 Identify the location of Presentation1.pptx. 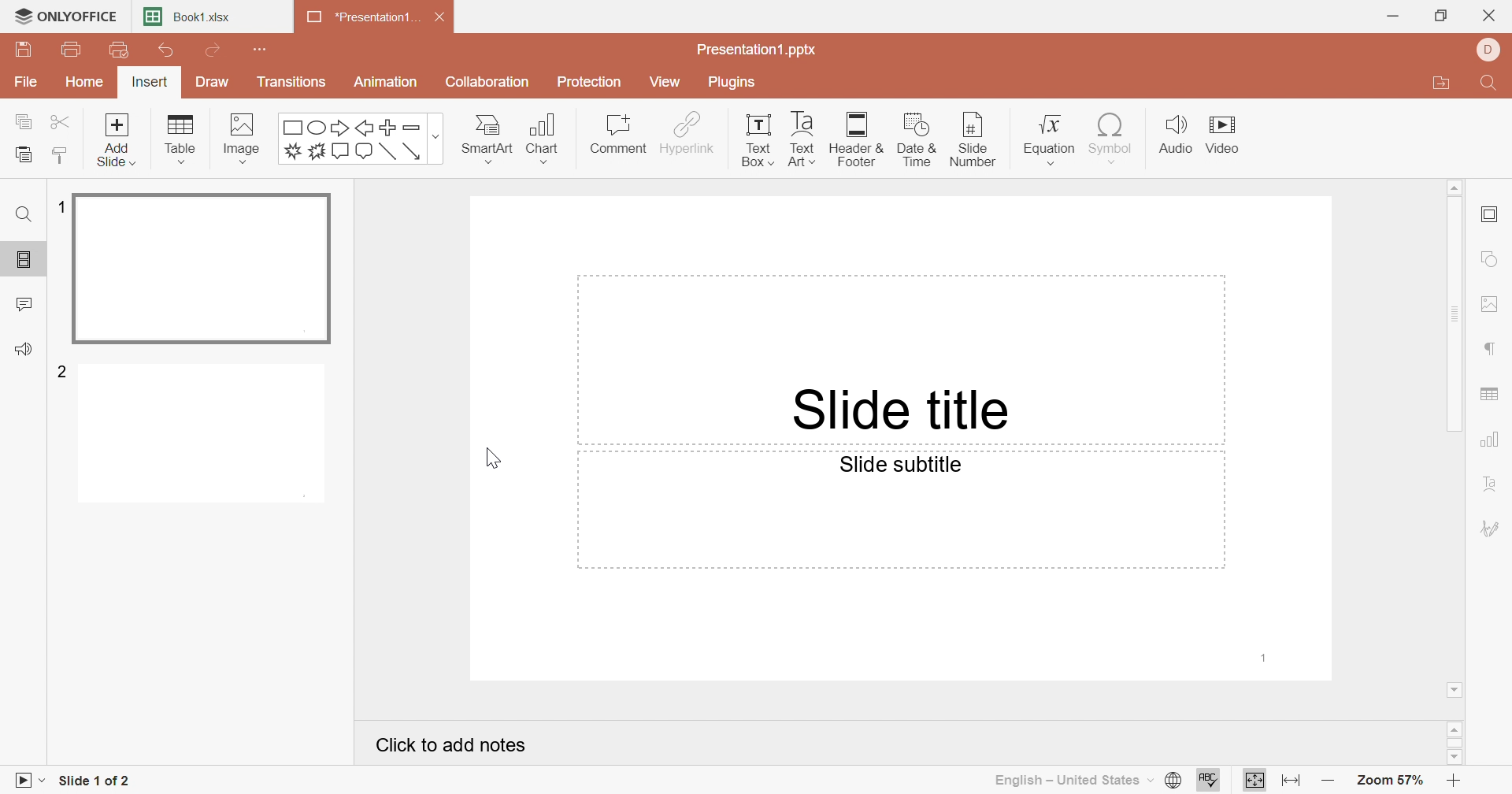
(758, 50).